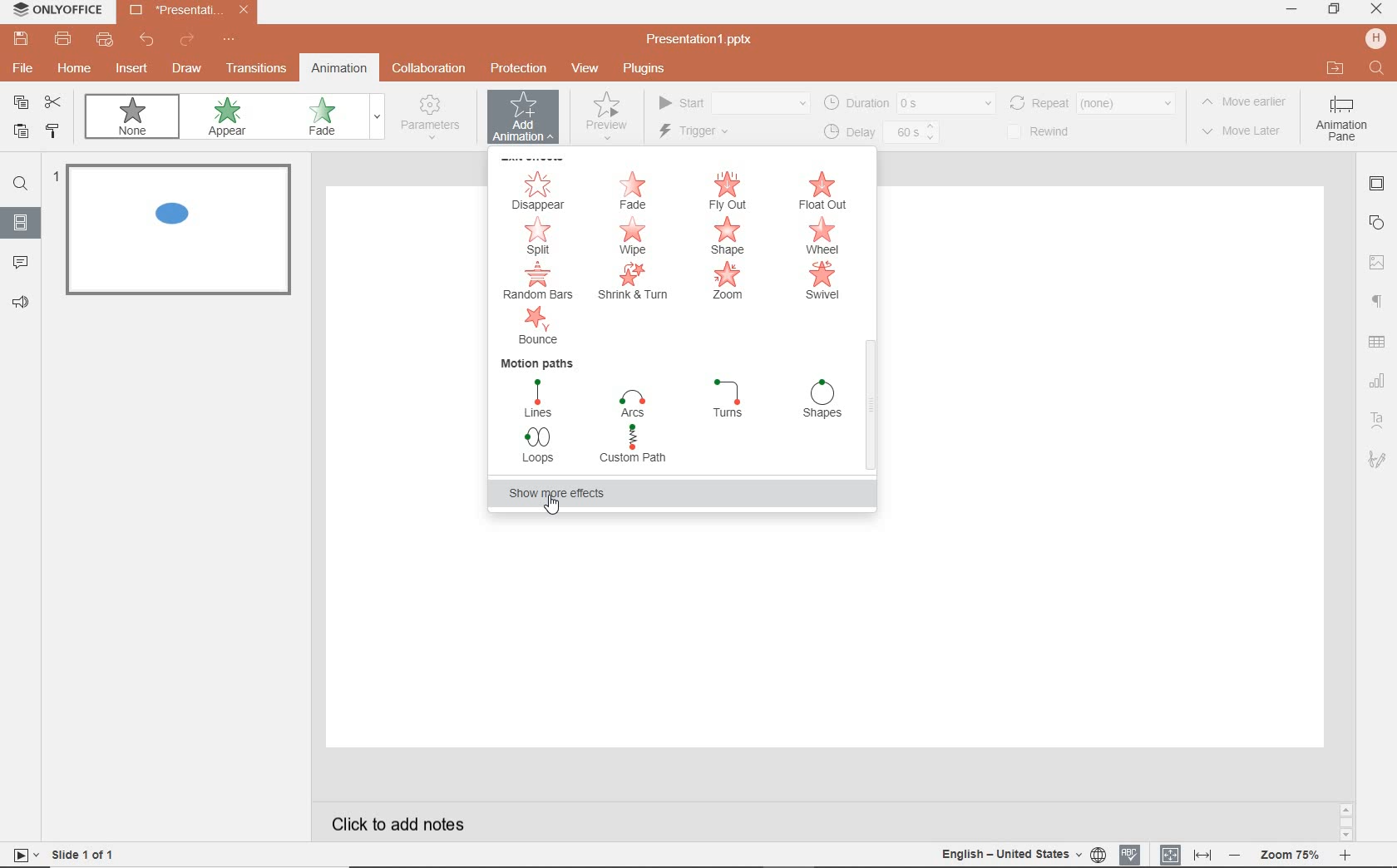 This screenshot has height=868, width=1397. Describe the element at coordinates (605, 121) in the screenshot. I see `preview` at that location.